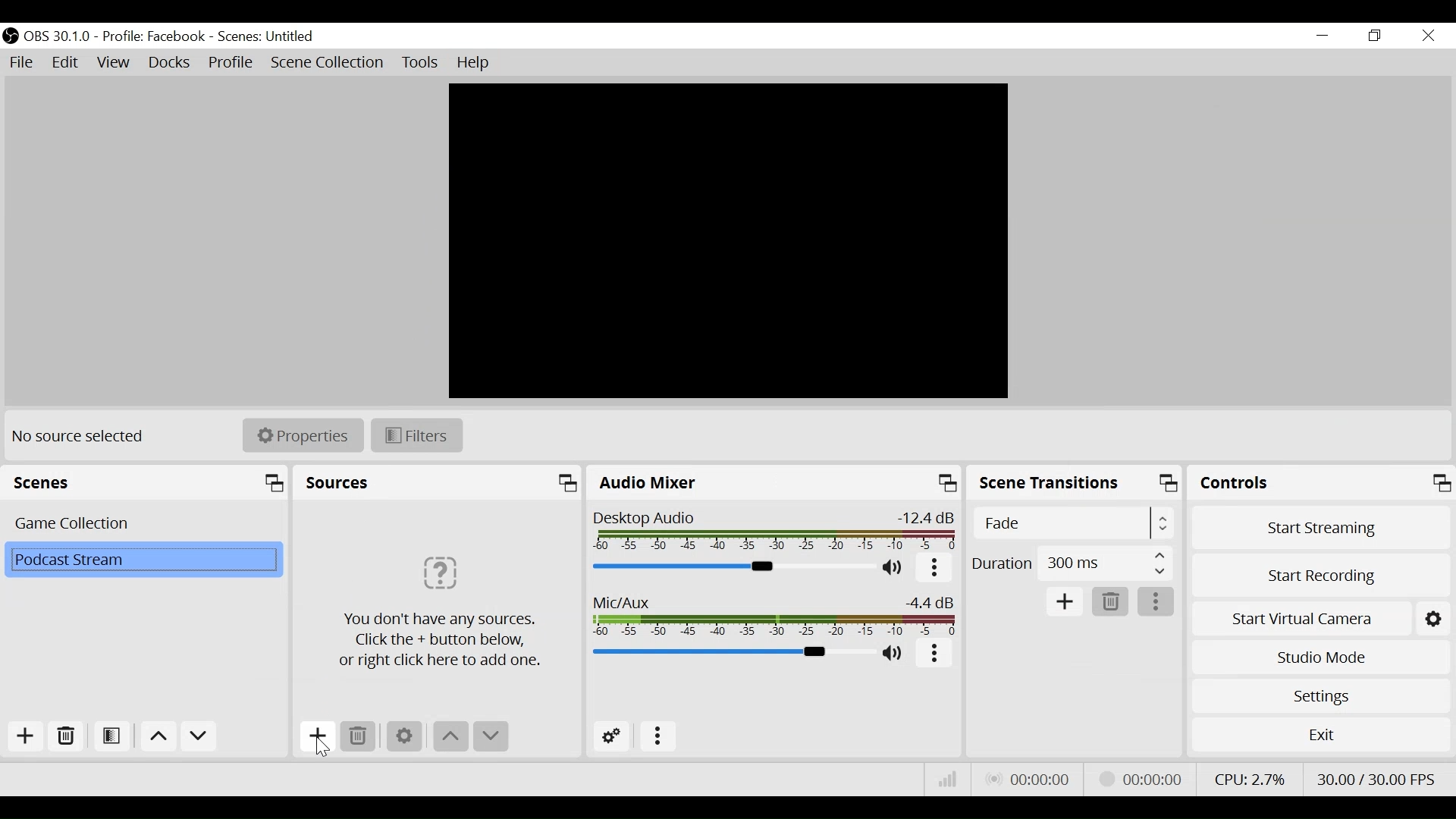  I want to click on Scene , so click(145, 560).